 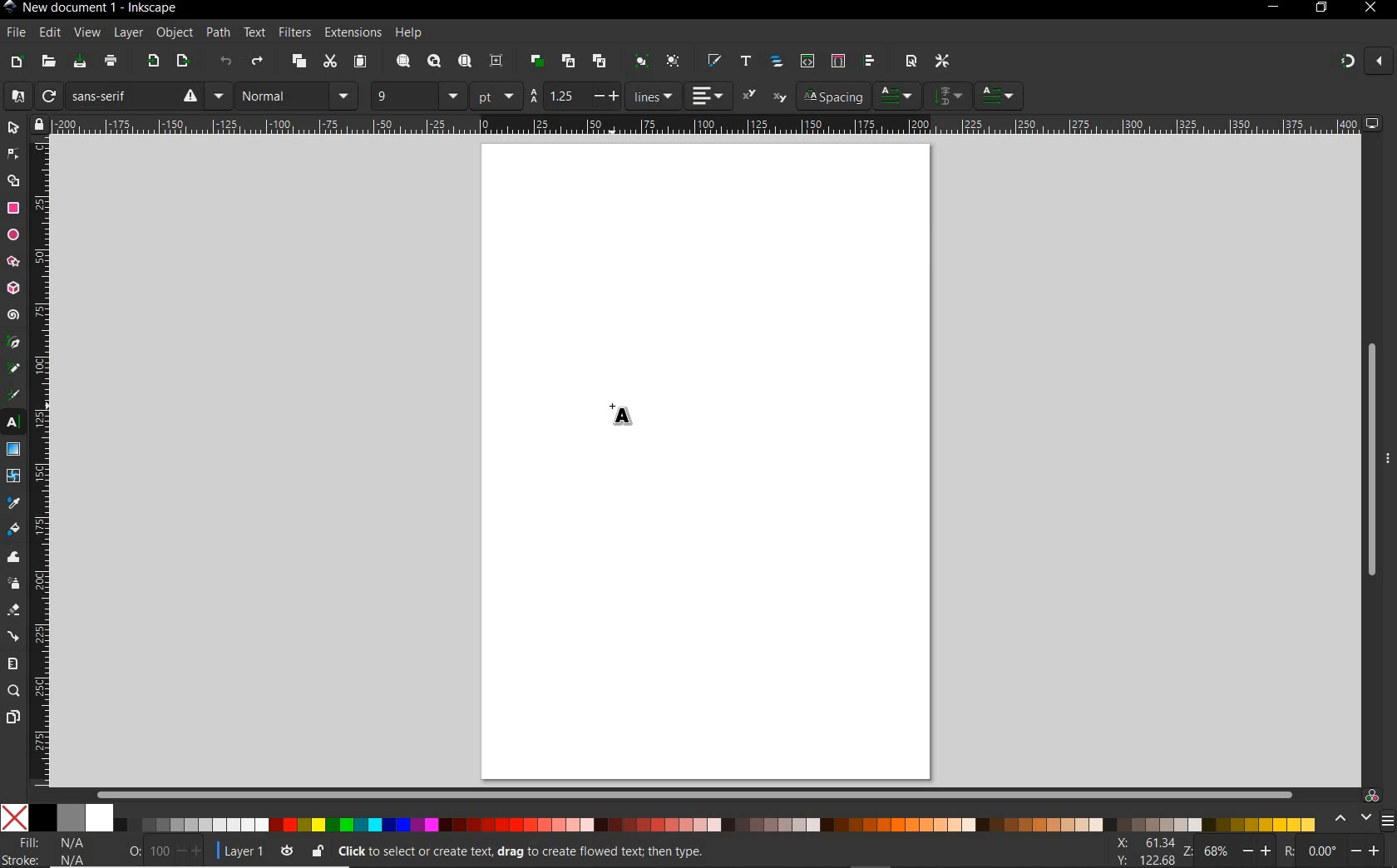 What do you see at coordinates (14, 96) in the screenshot?
I see `A` at bounding box center [14, 96].